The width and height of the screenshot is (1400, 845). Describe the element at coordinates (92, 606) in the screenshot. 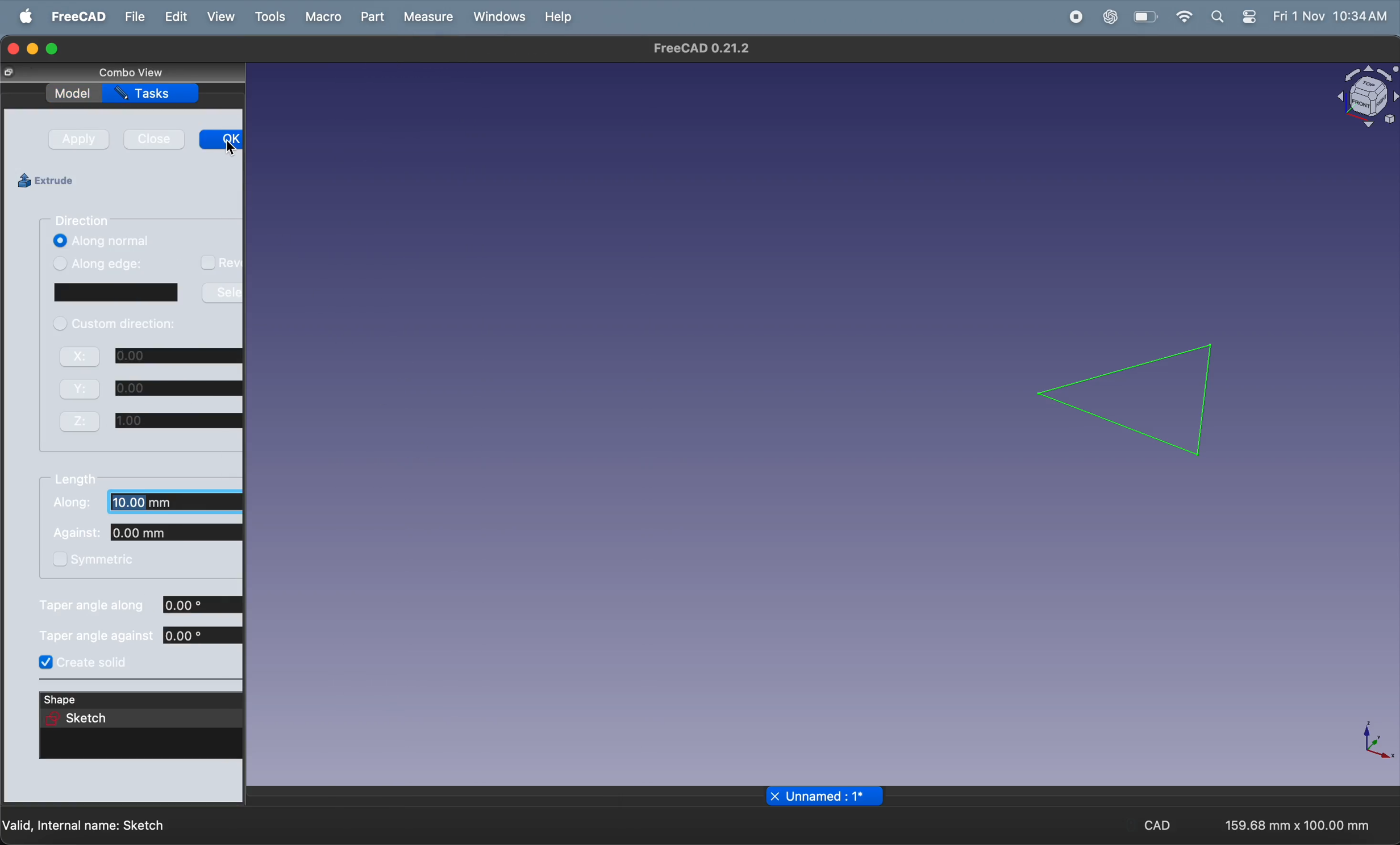

I see `Taper angle along` at that location.